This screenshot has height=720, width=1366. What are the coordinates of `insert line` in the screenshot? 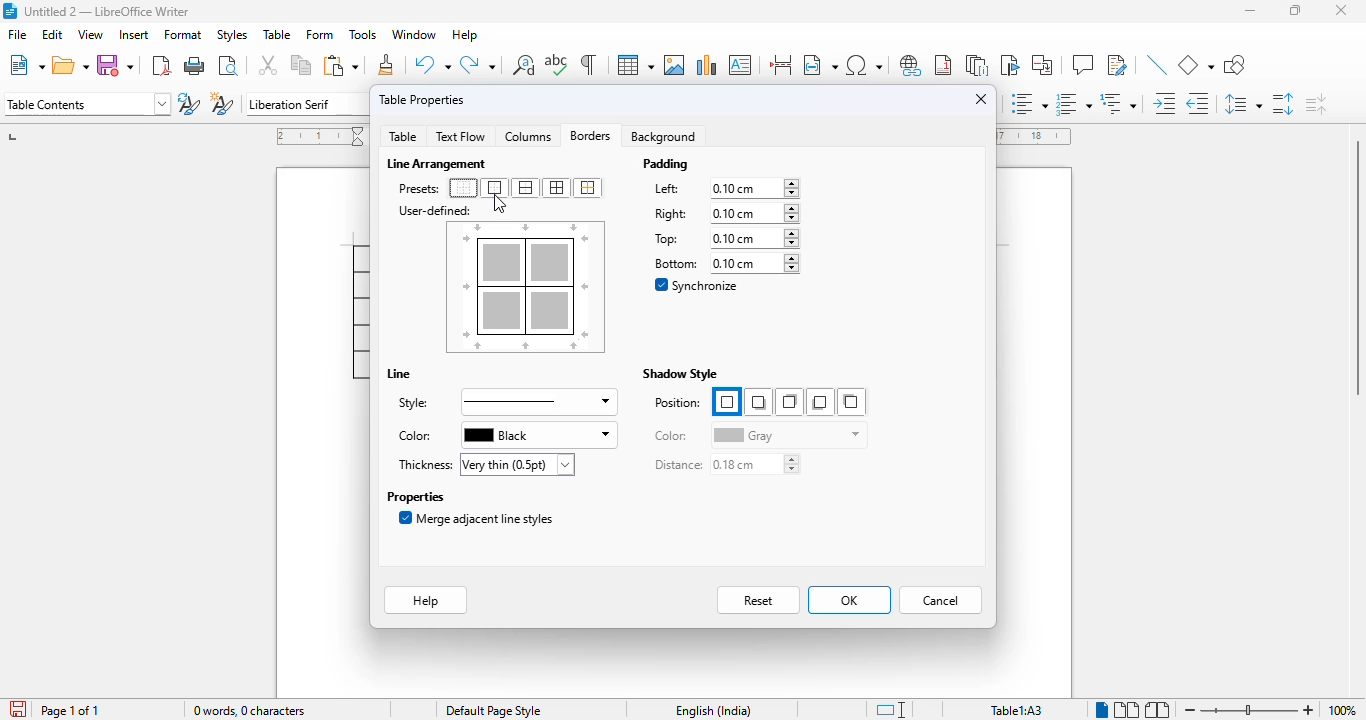 It's located at (1158, 64).